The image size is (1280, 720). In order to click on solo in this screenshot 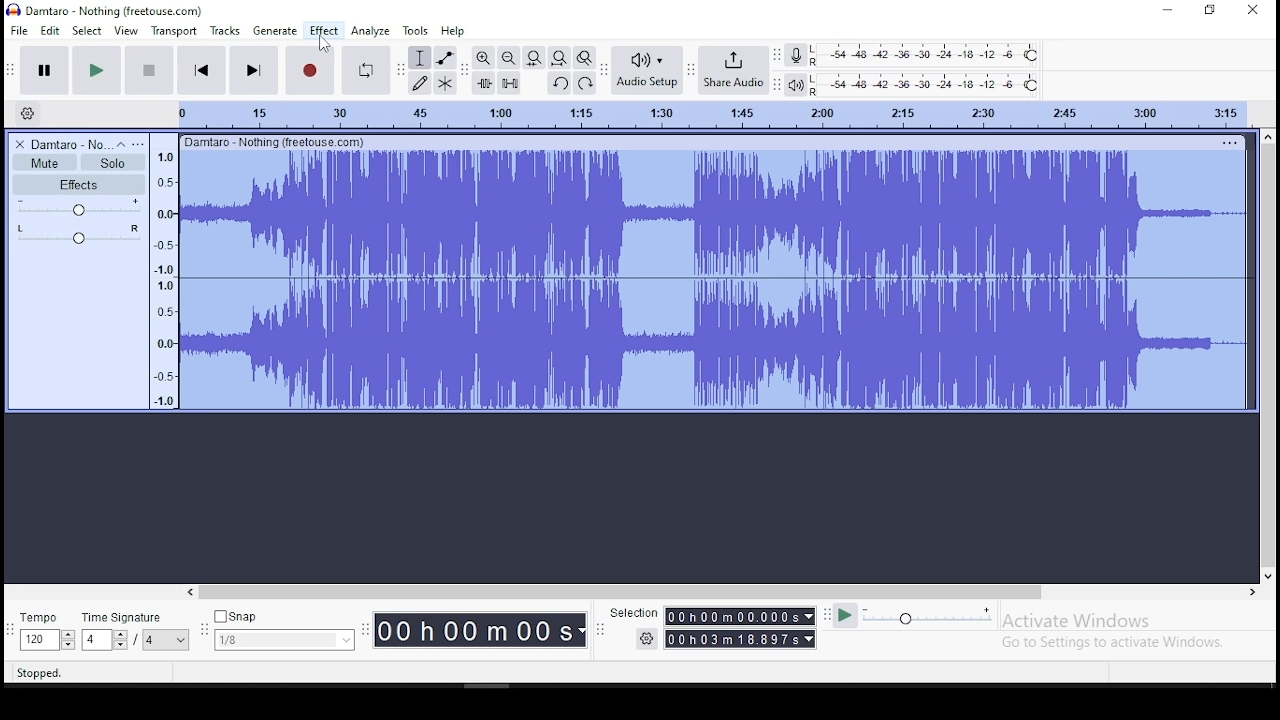, I will do `click(113, 163)`.